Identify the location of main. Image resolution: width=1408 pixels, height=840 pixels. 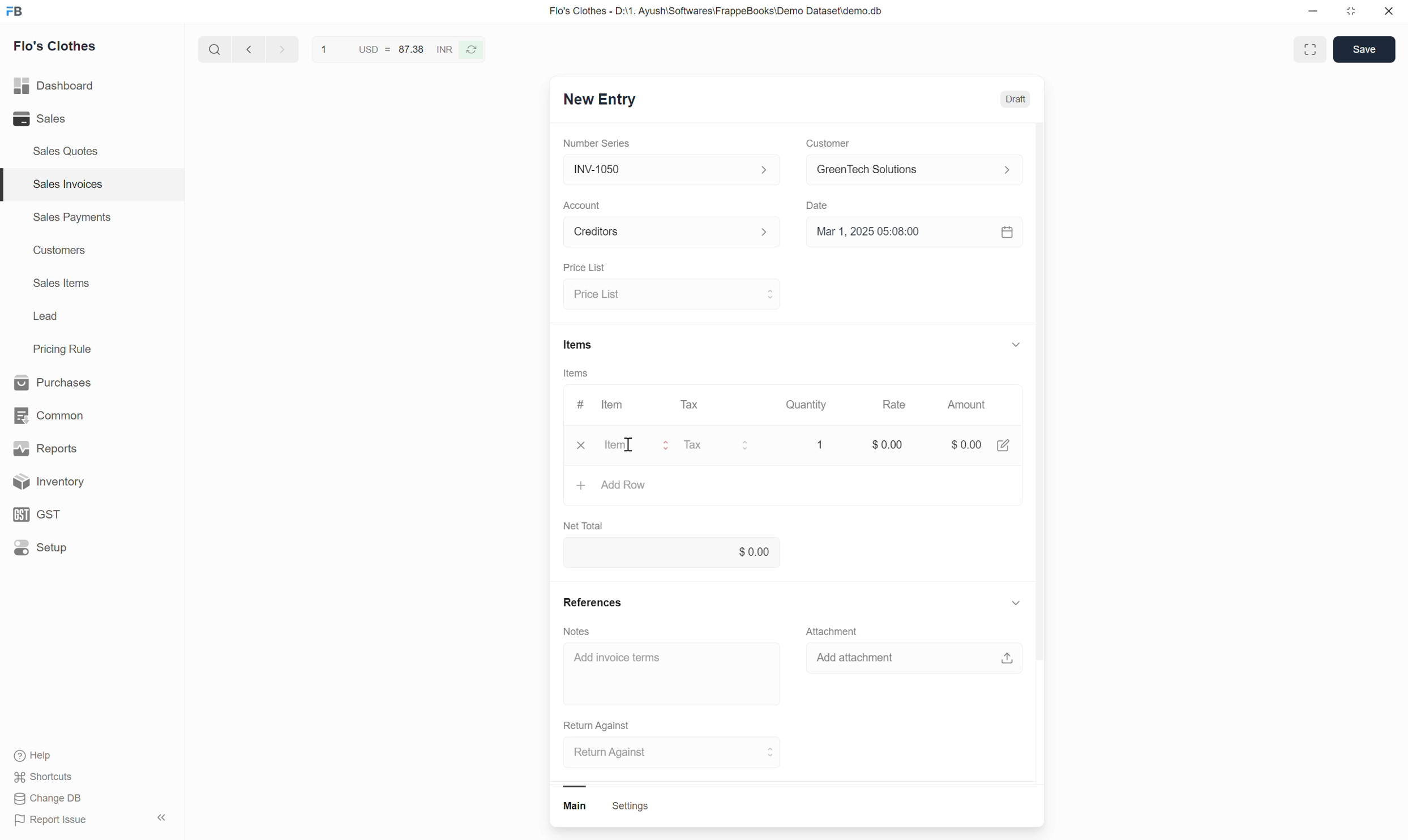
(580, 808).